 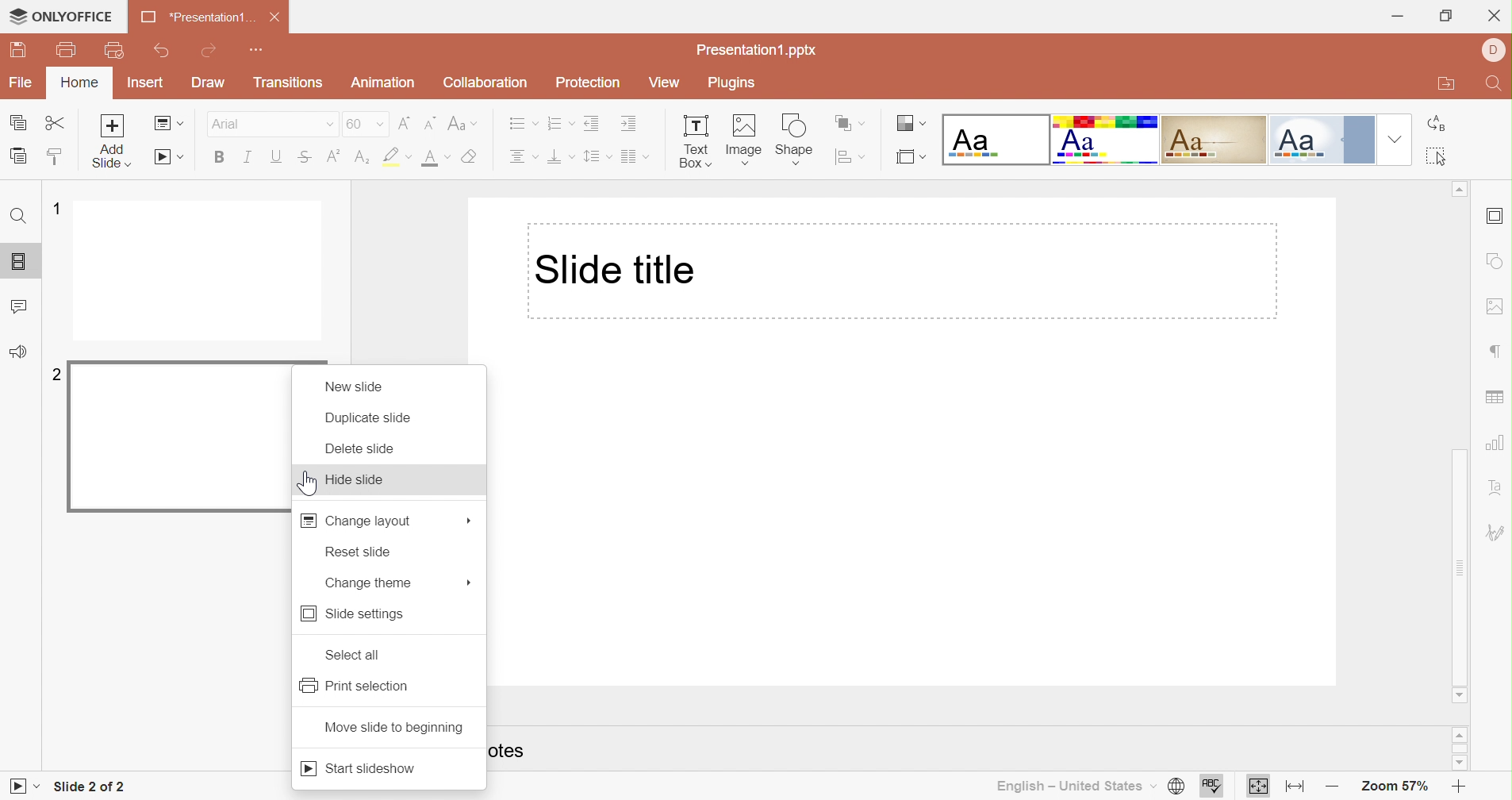 I want to click on Close, so click(x=277, y=17).